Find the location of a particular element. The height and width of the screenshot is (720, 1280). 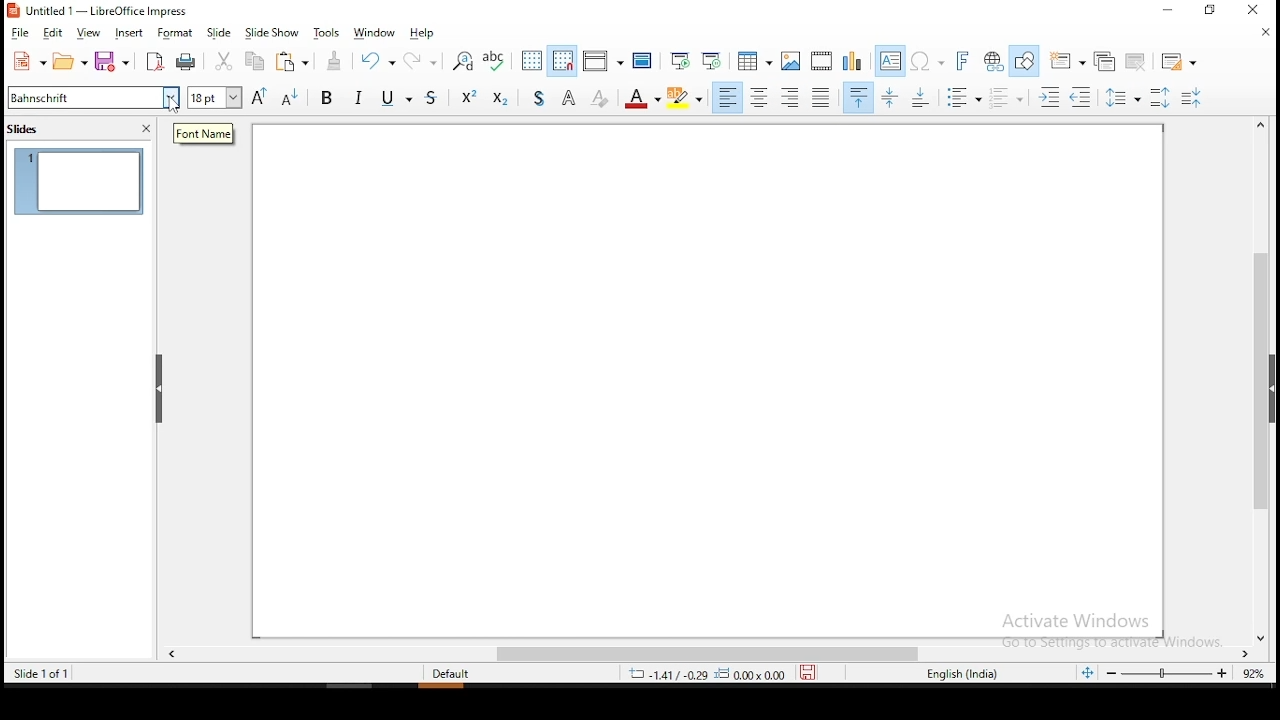

new is located at coordinates (28, 61).